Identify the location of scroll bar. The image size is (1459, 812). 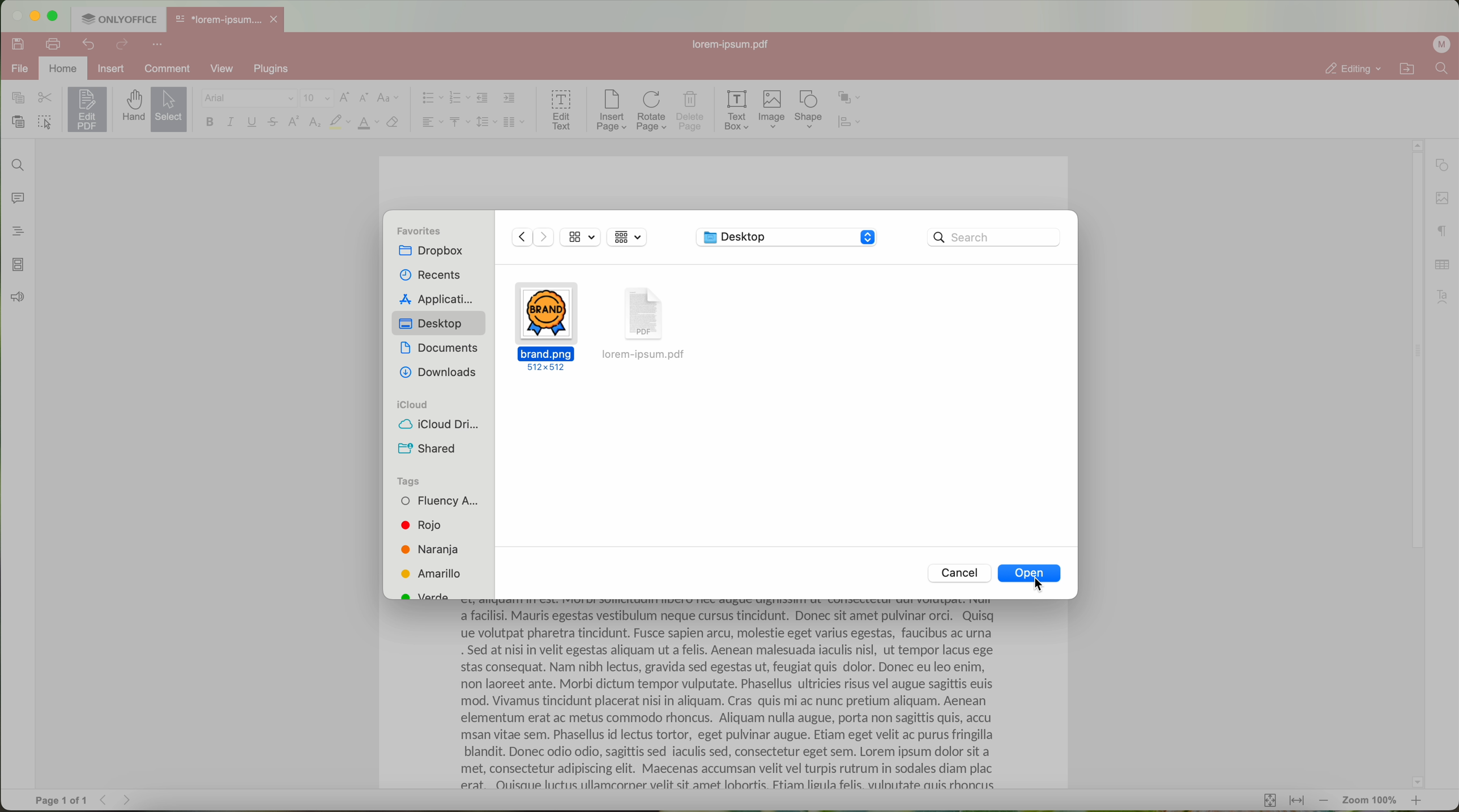
(1411, 464).